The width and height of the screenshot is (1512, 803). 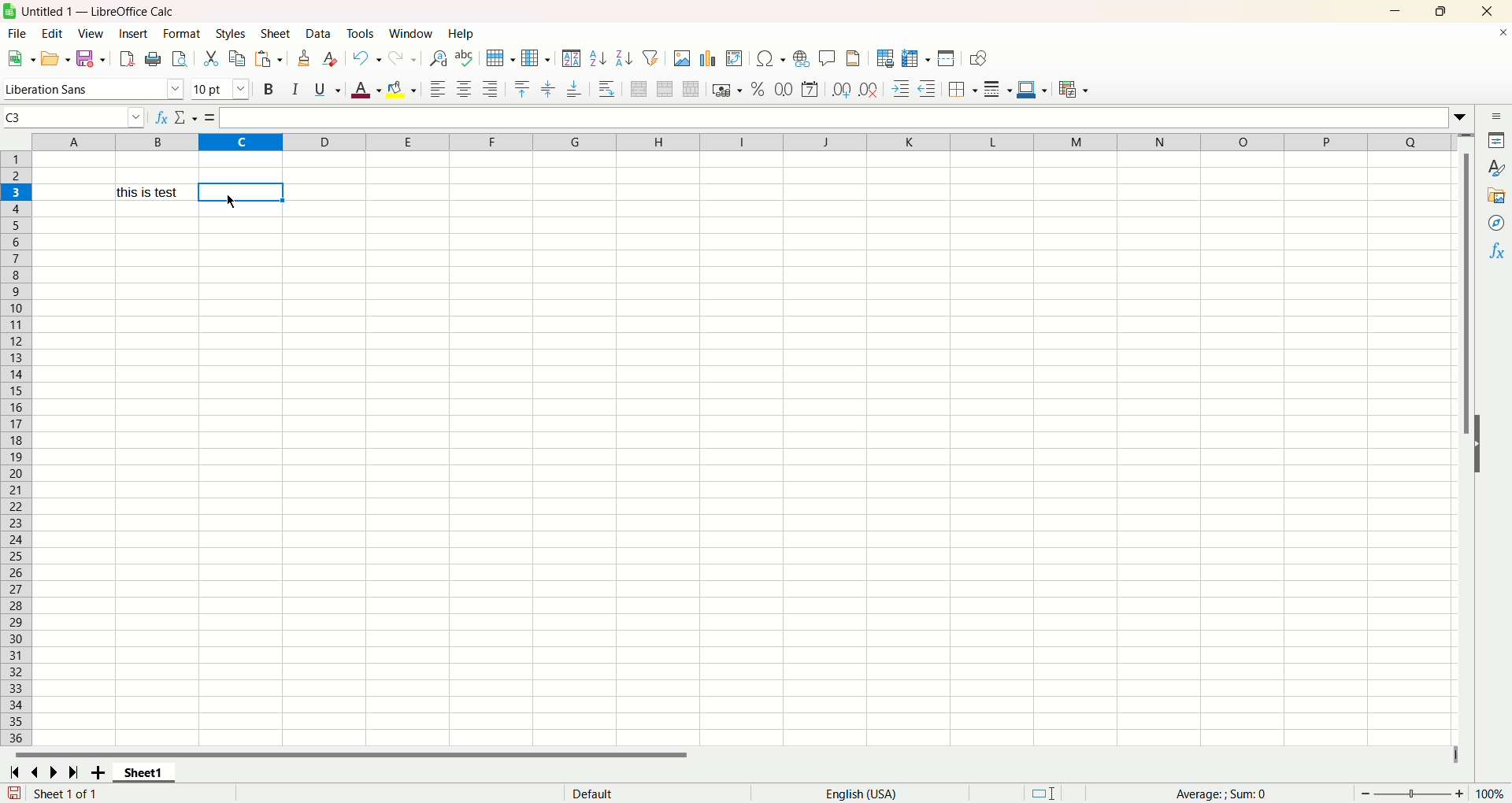 What do you see at coordinates (801, 58) in the screenshot?
I see `insert hyperlink` at bounding box center [801, 58].